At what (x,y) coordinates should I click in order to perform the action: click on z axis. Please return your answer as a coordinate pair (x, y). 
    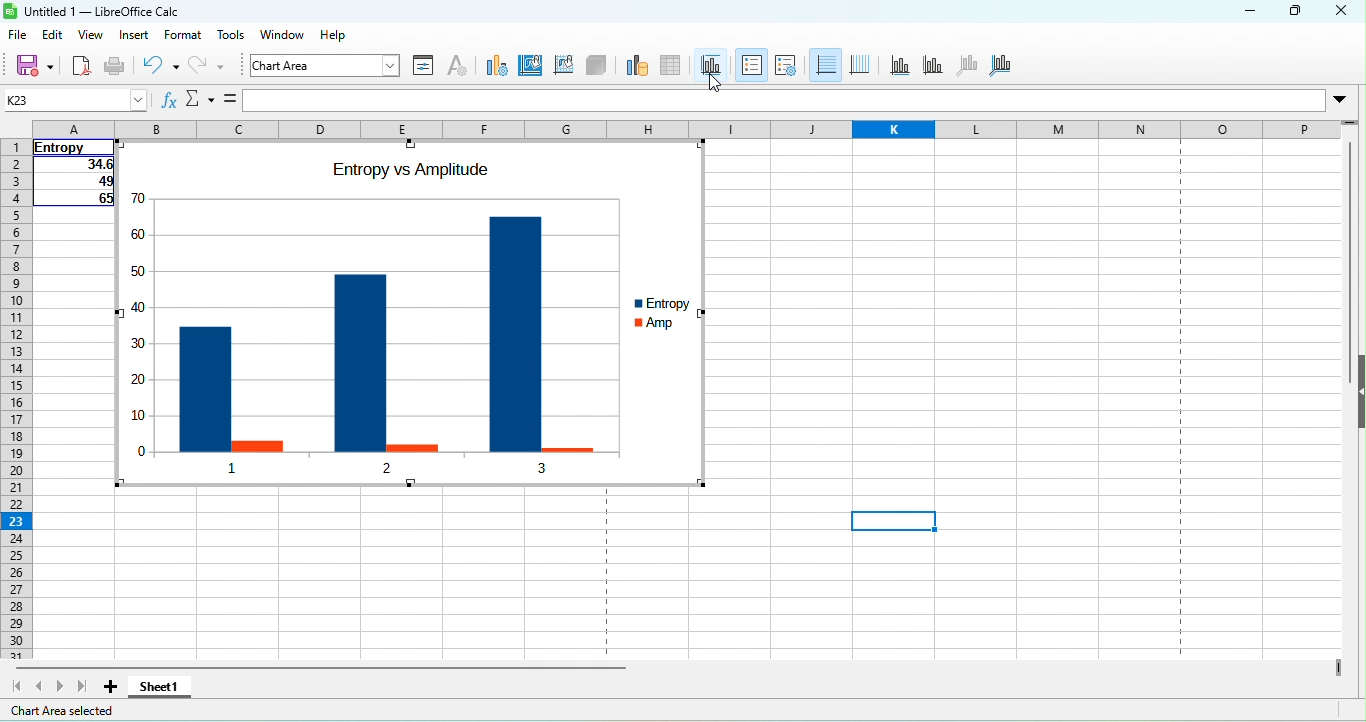
    Looking at the image, I should click on (972, 65).